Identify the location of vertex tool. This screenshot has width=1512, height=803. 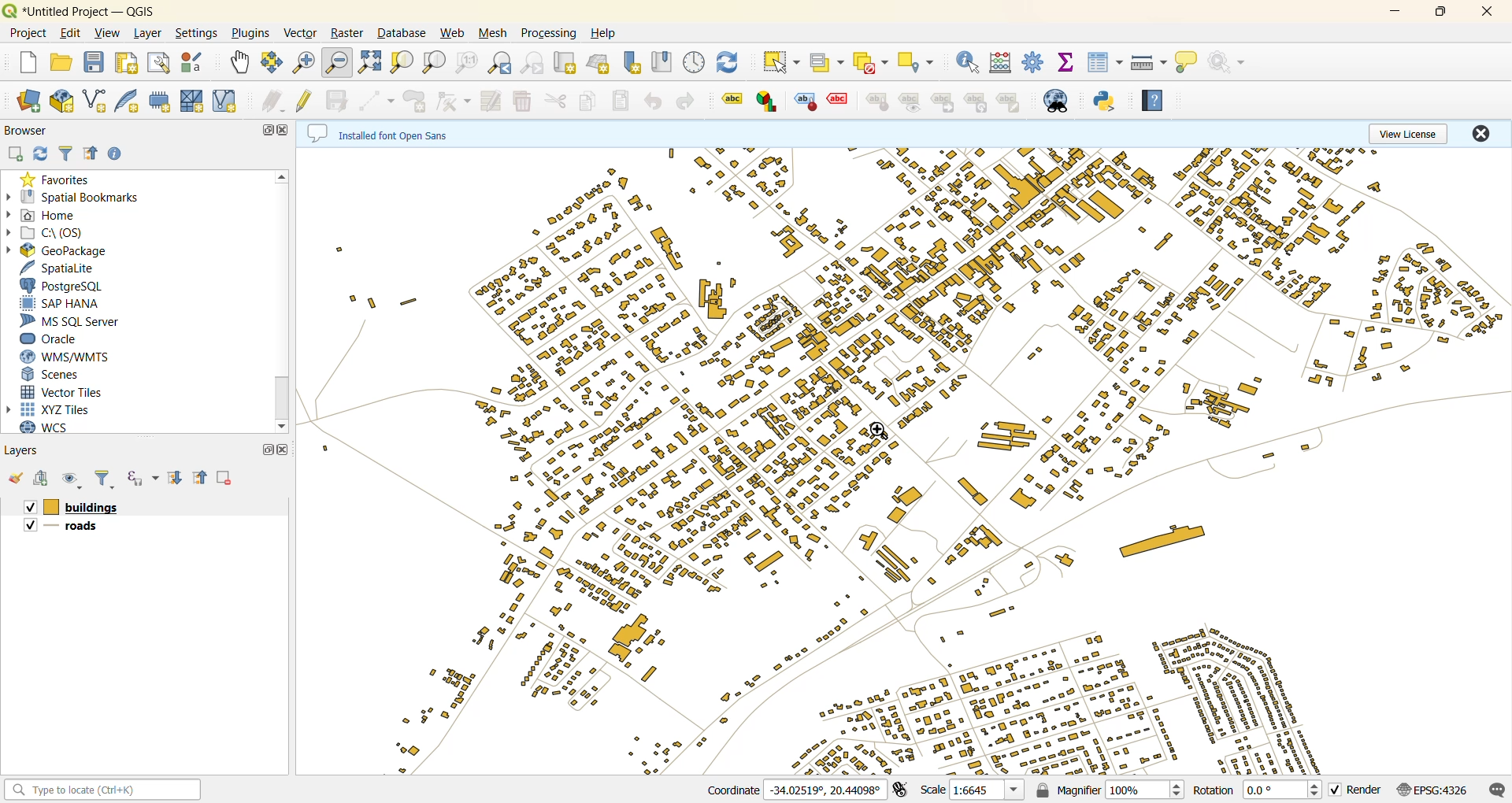
(453, 102).